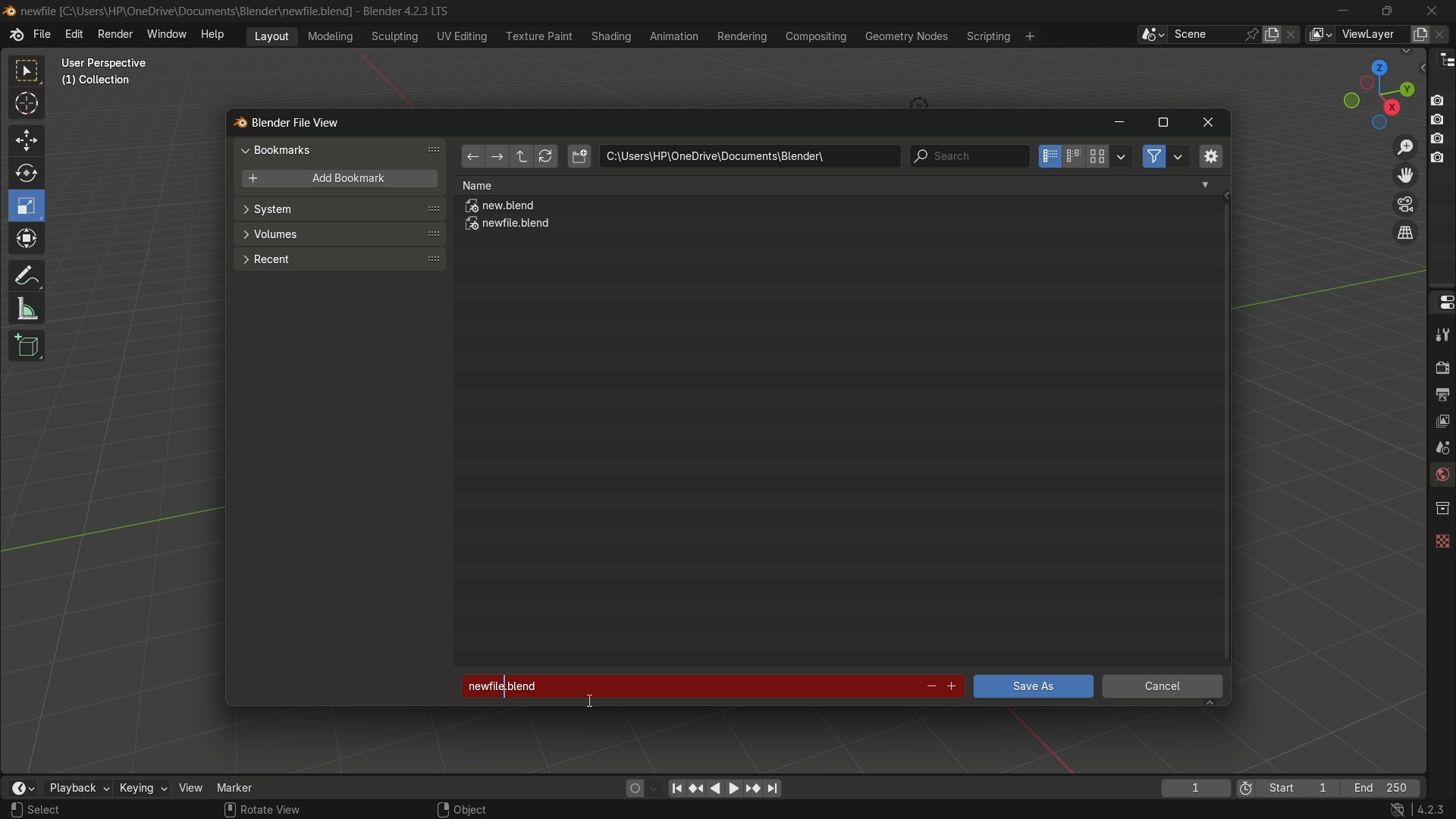 This screenshot has height=819, width=1456. Describe the element at coordinates (115, 33) in the screenshot. I see `render menu` at that location.